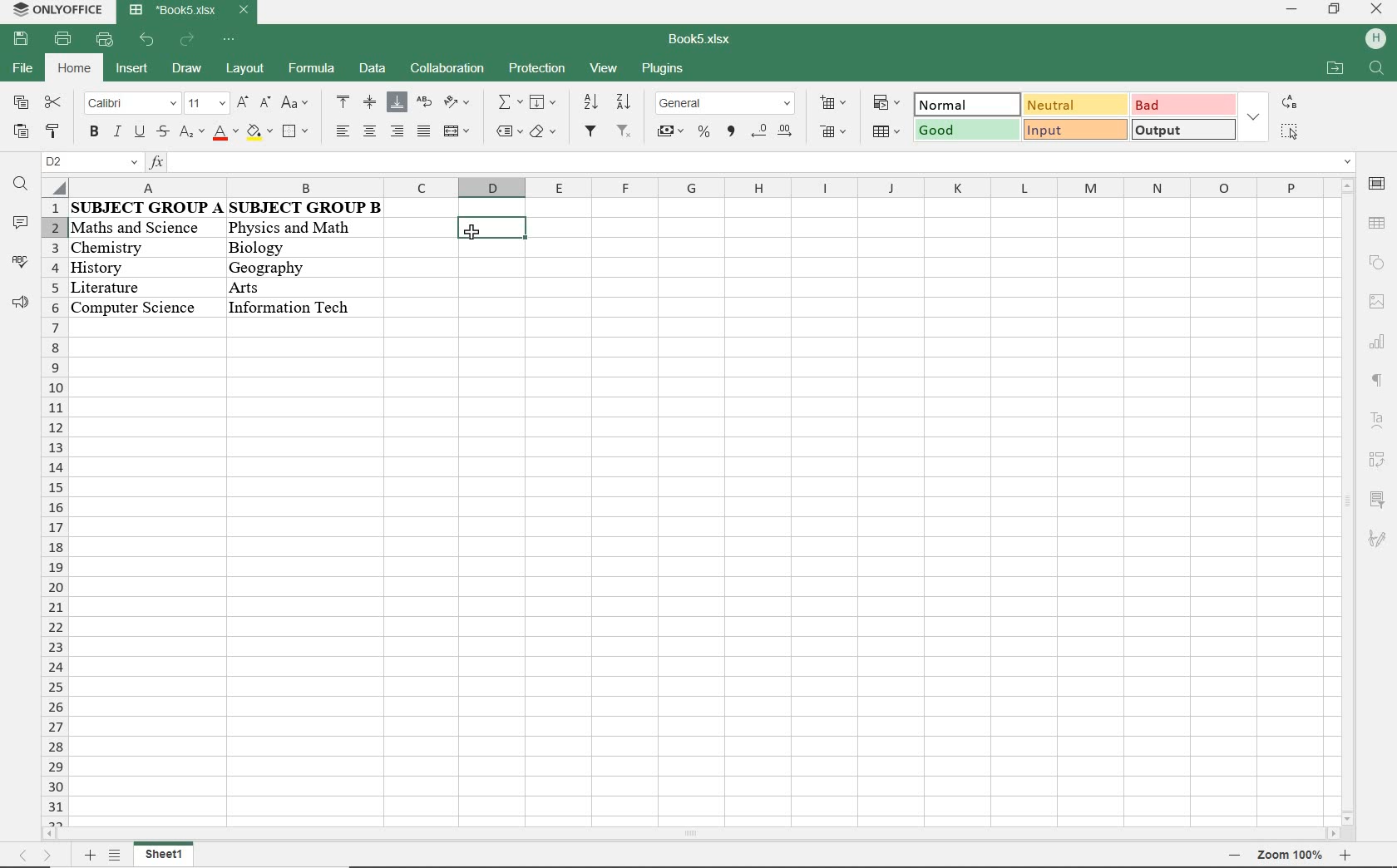 This screenshot has height=868, width=1397. What do you see at coordinates (264, 102) in the screenshot?
I see `decrement font size` at bounding box center [264, 102].